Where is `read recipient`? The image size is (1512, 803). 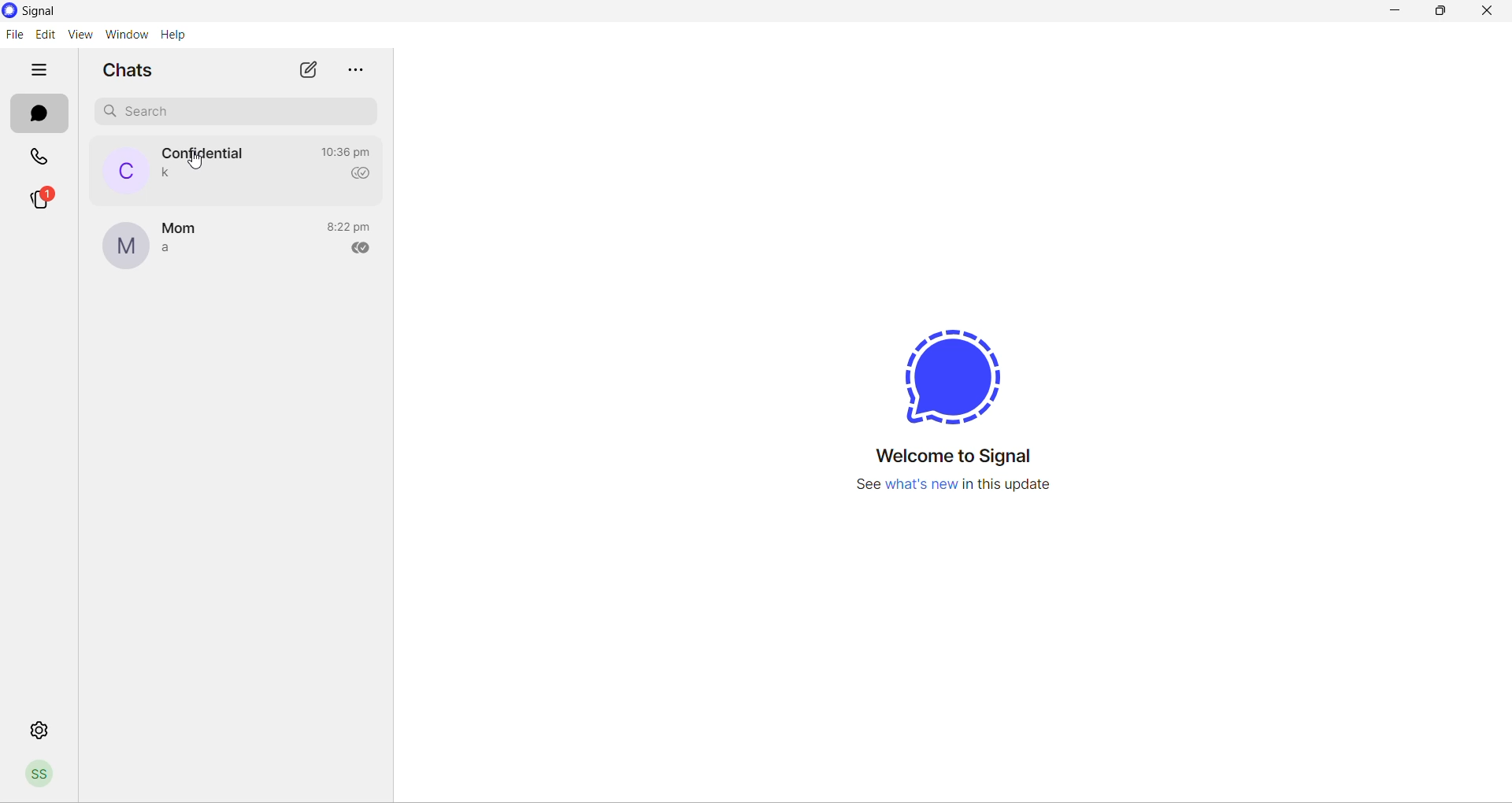
read recipient is located at coordinates (366, 250).